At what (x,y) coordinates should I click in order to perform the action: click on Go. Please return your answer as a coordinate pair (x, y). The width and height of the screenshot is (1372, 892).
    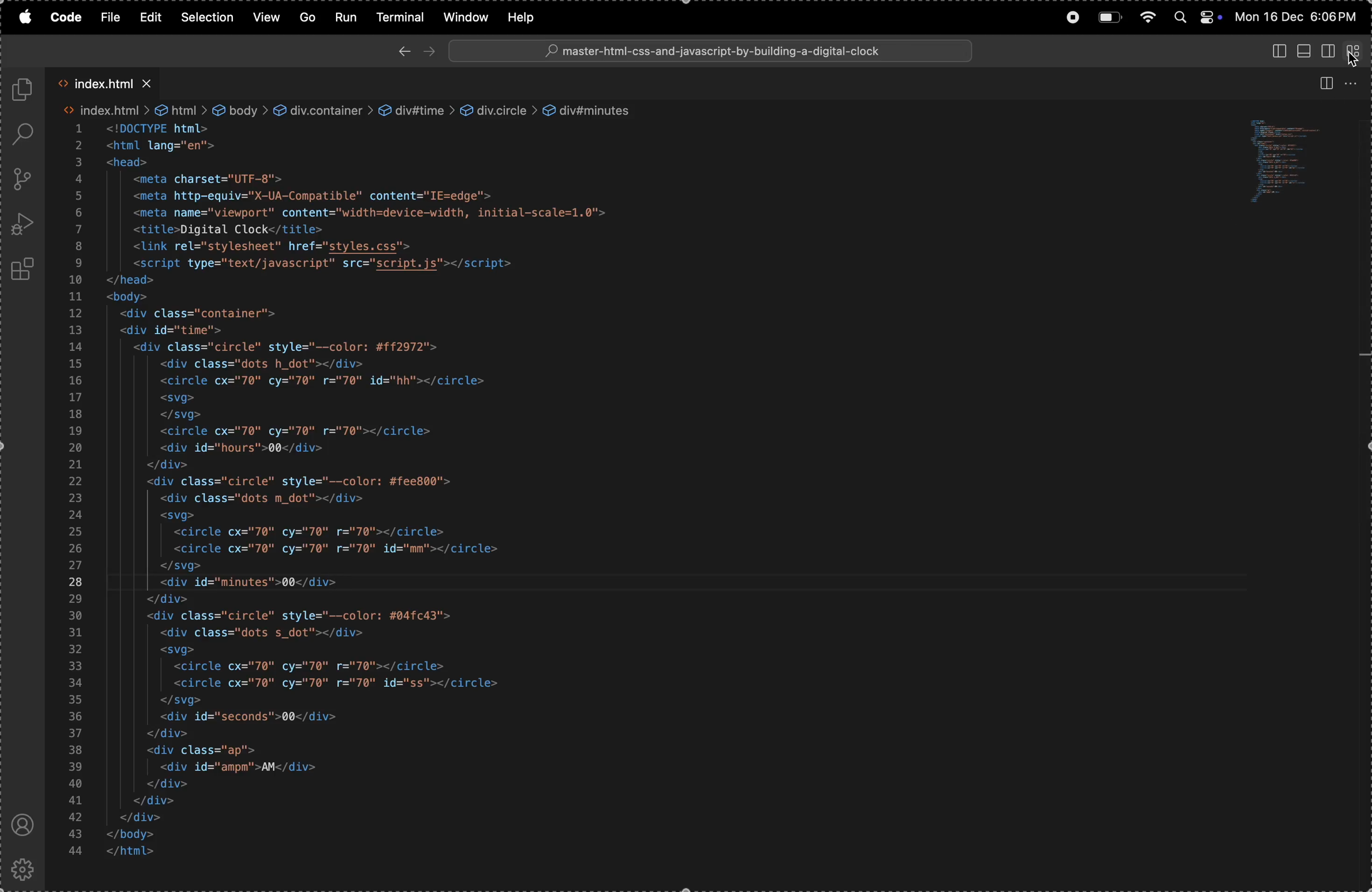
    Looking at the image, I should click on (308, 16).